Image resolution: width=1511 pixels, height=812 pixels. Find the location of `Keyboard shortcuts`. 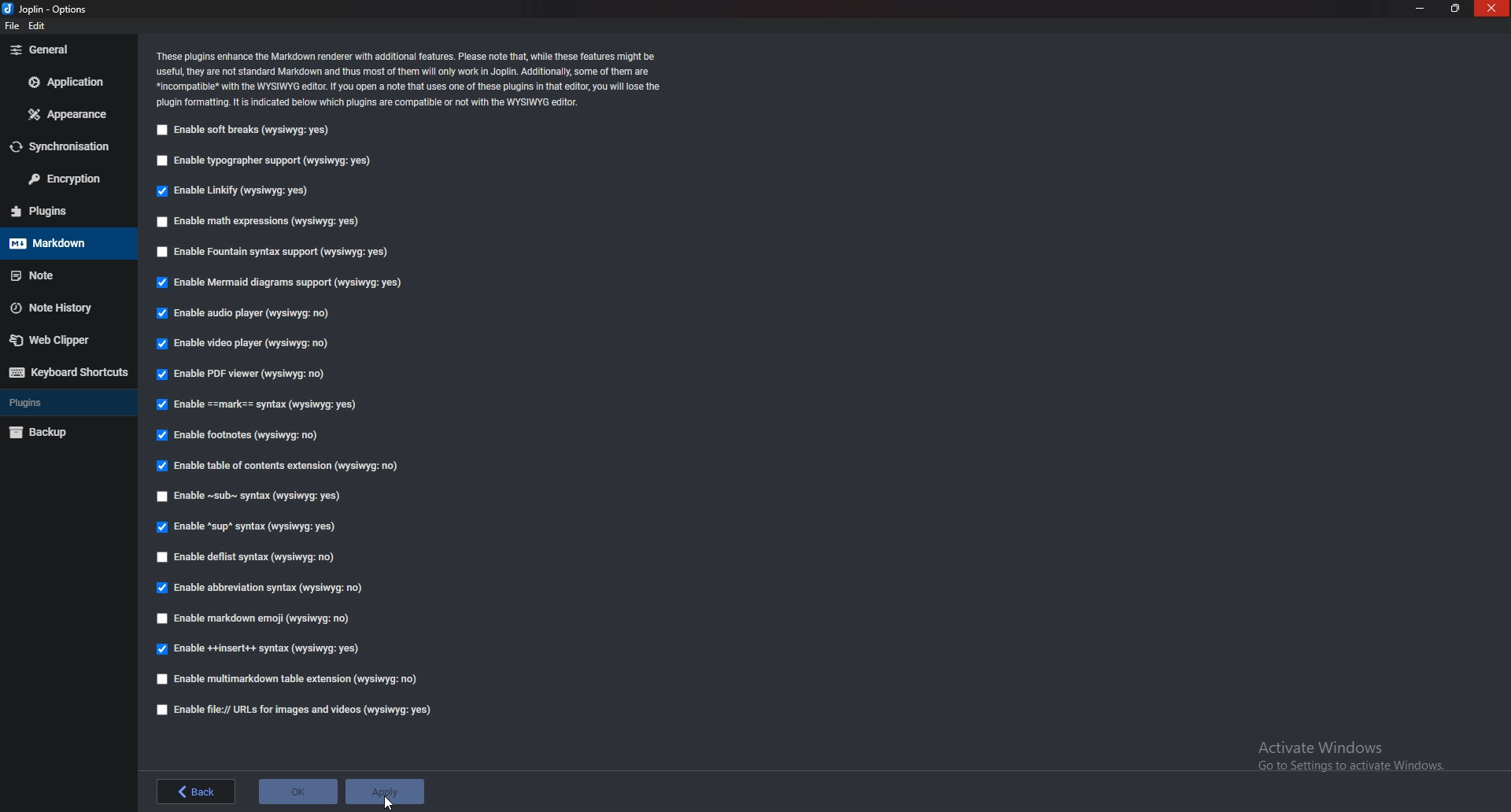

Keyboard shortcuts is located at coordinates (66, 373).